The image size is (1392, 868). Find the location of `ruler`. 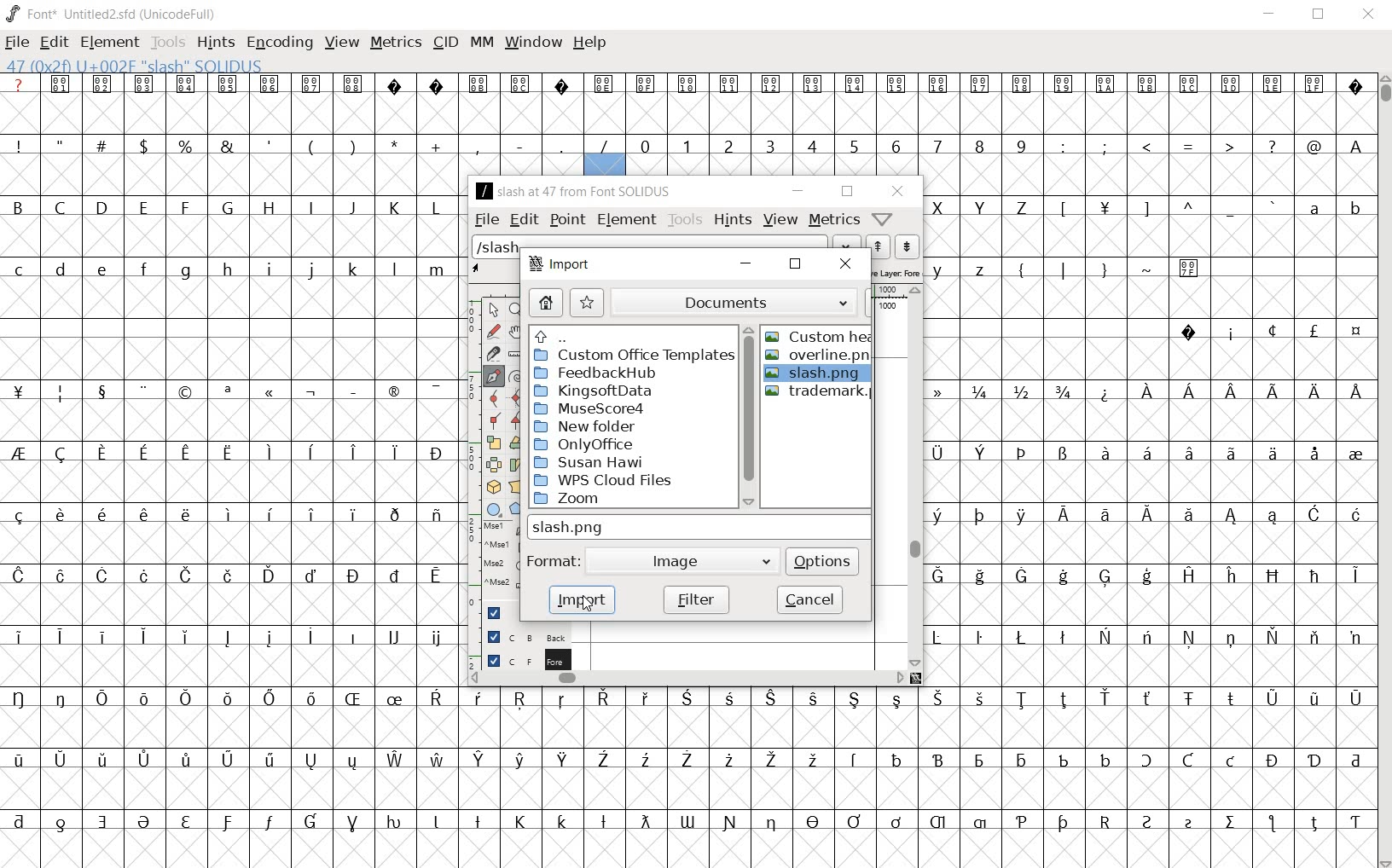

ruler is located at coordinates (890, 290).